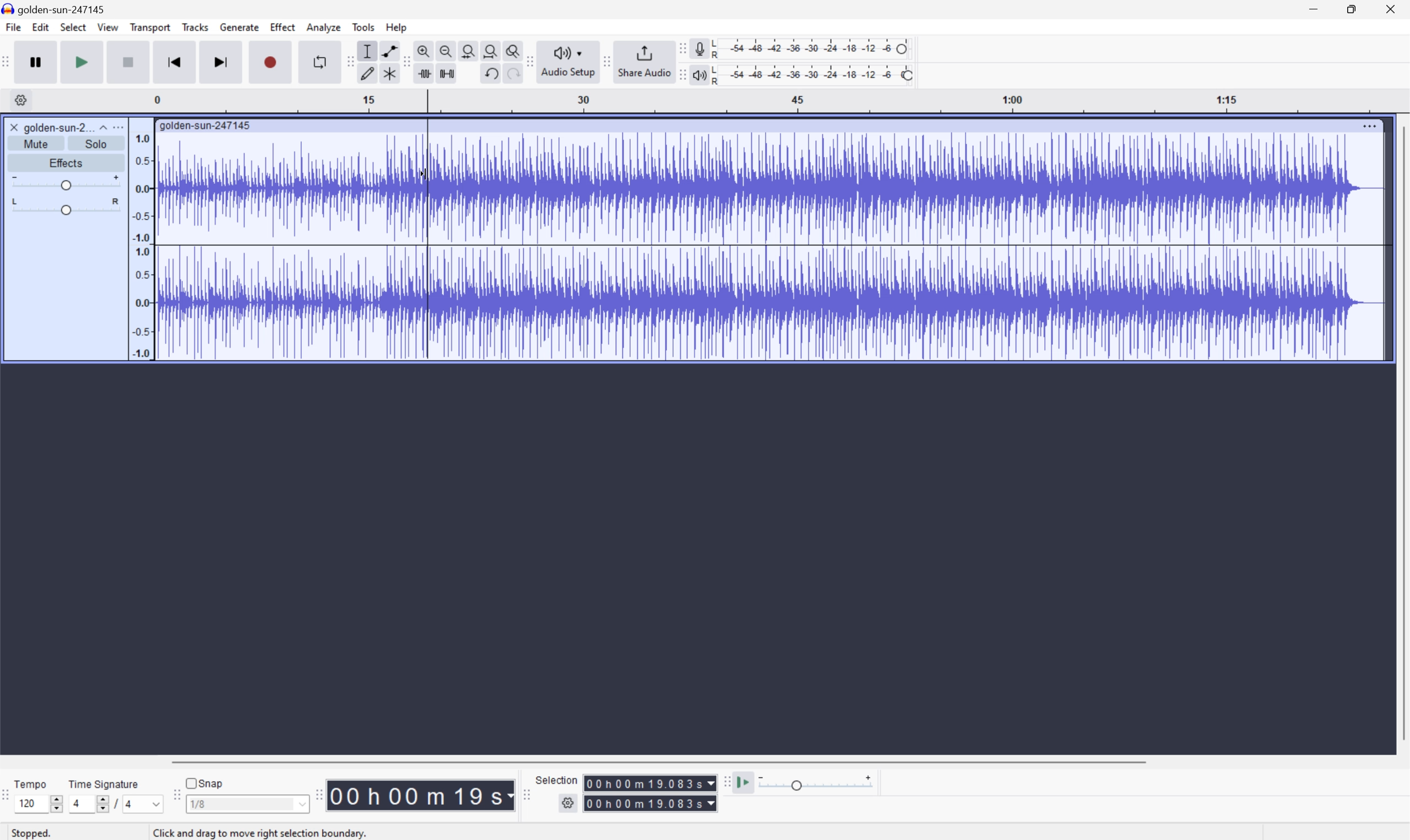  What do you see at coordinates (114, 803) in the screenshot?
I see `/` at bounding box center [114, 803].